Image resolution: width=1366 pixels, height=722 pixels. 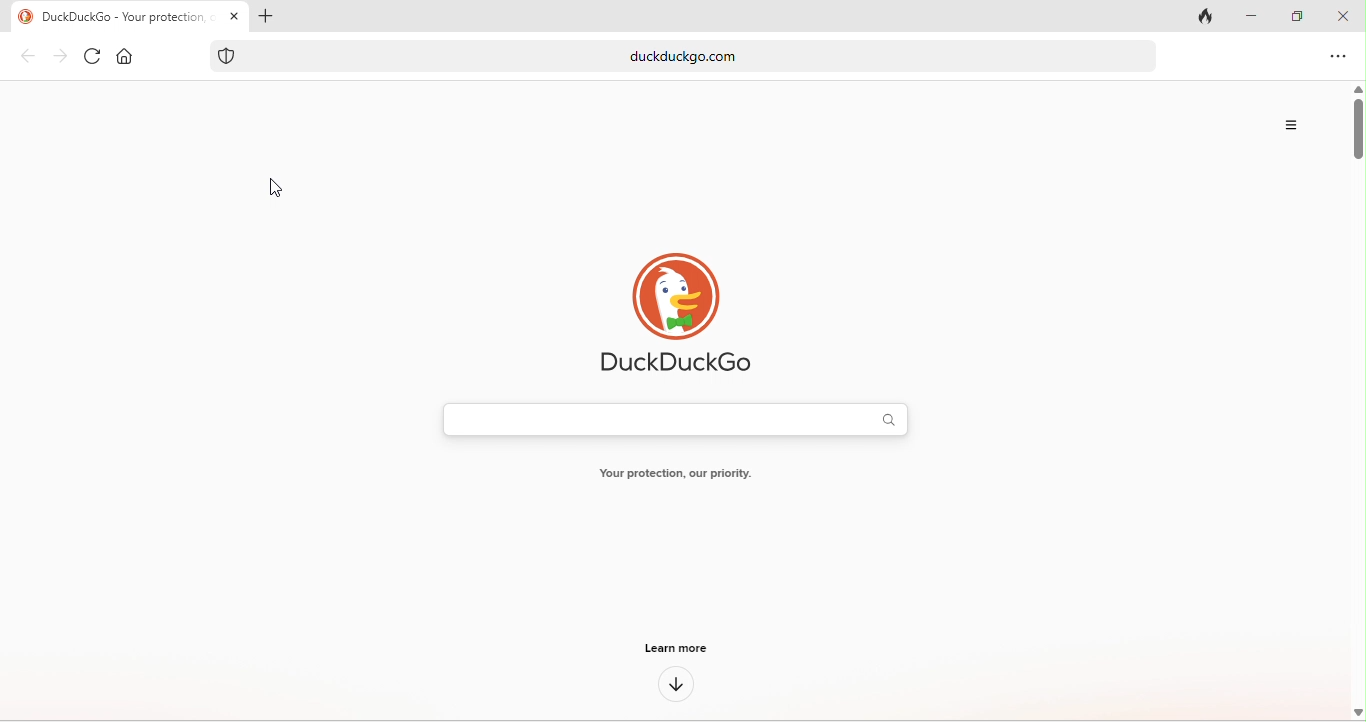 I want to click on close tab and clear data, so click(x=1207, y=15).